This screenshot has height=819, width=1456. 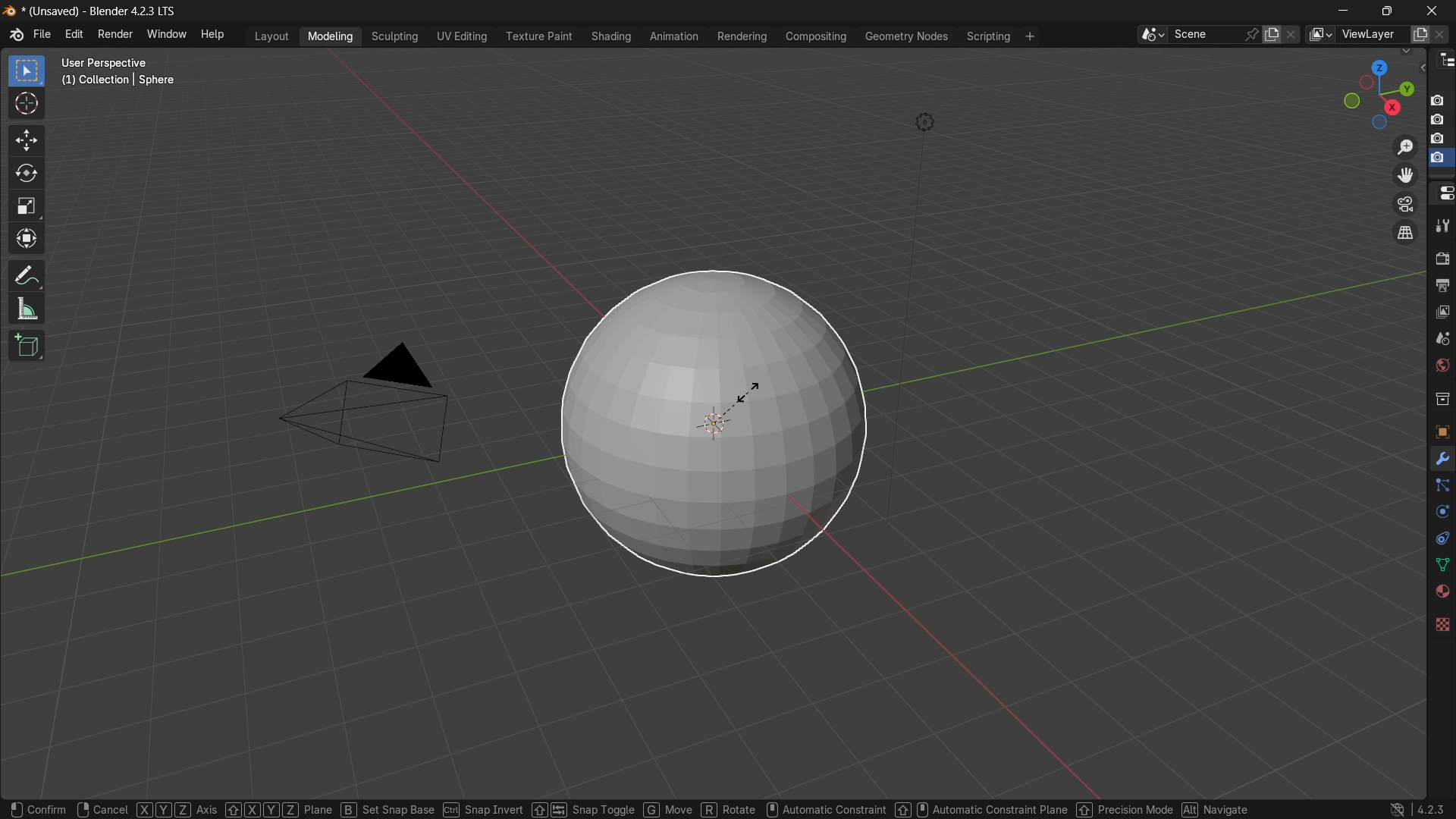 What do you see at coordinates (89, 12) in the screenshot?
I see `(unsaved) blender 4.2.3 LTS` at bounding box center [89, 12].